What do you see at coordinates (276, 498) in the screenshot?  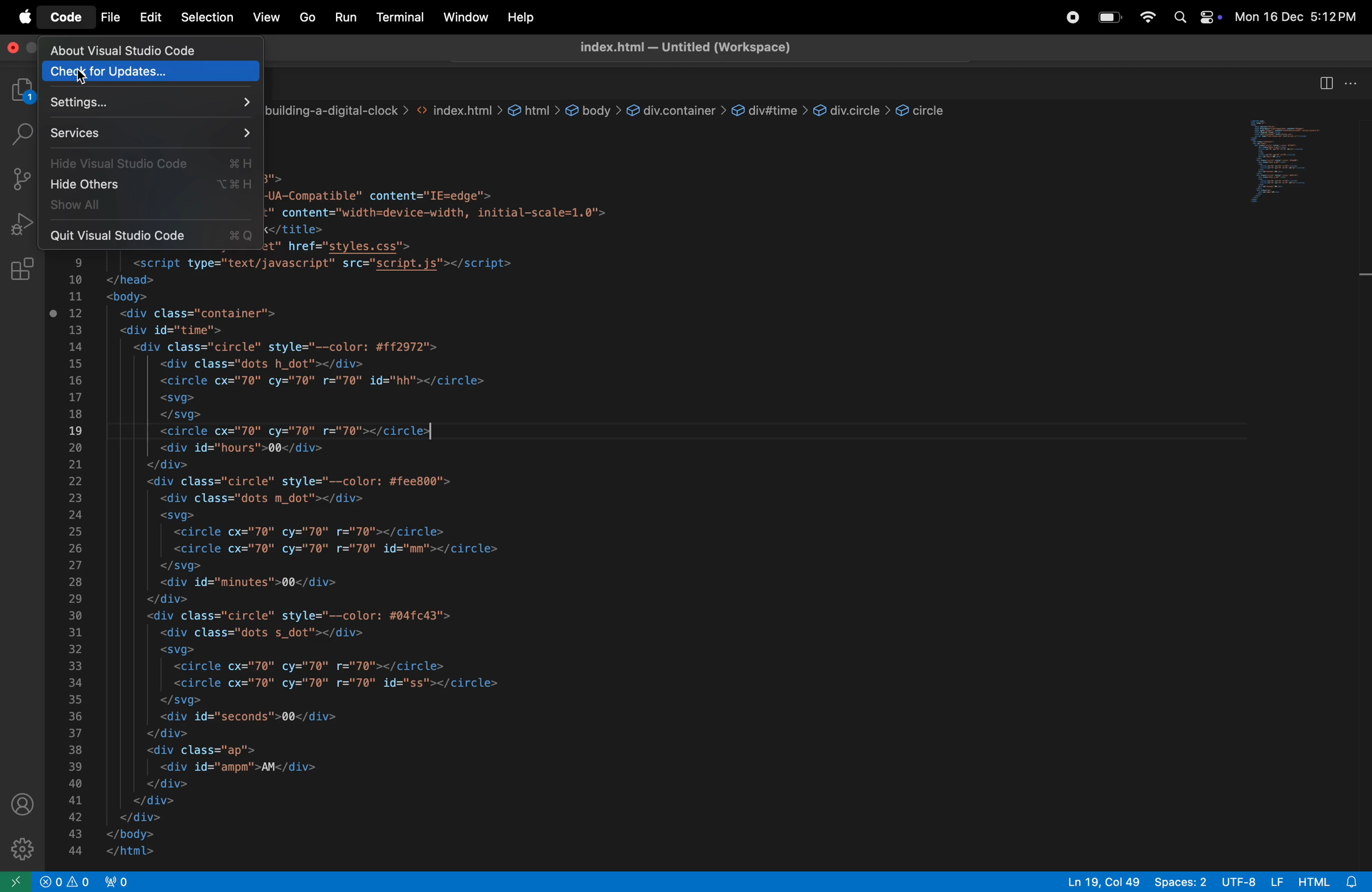 I see `<div class="dots m dot"></div>` at bounding box center [276, 498].